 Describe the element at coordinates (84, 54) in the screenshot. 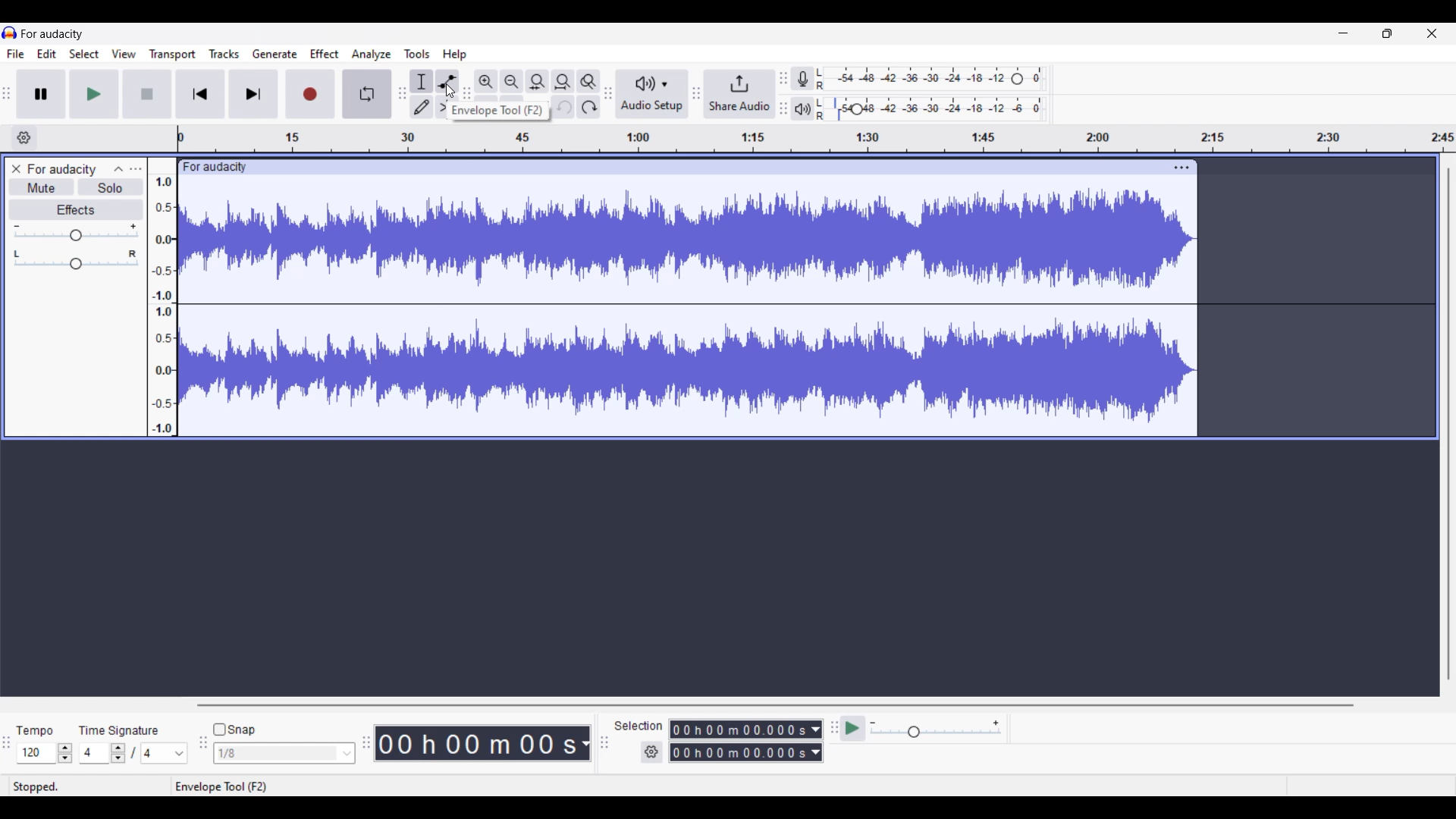

I see `Select` at that location.